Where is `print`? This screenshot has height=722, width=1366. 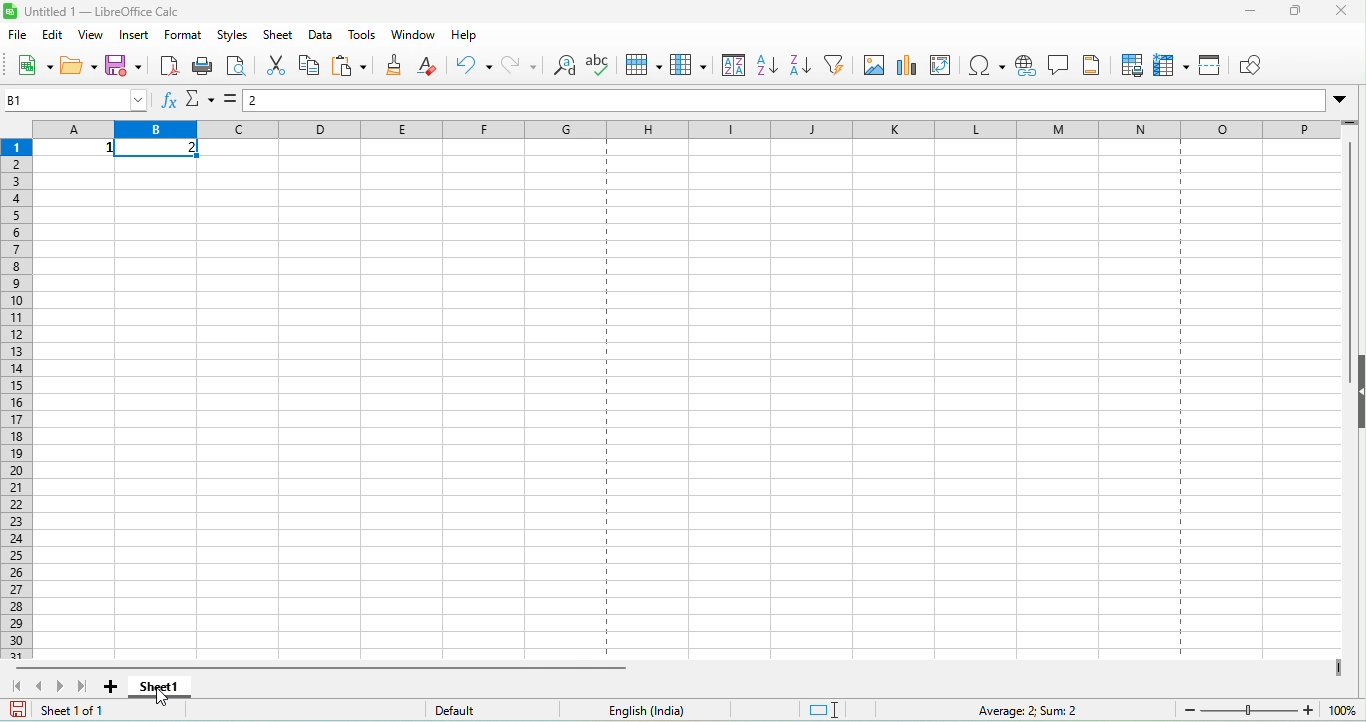 print is located at coordinates (203, 68).